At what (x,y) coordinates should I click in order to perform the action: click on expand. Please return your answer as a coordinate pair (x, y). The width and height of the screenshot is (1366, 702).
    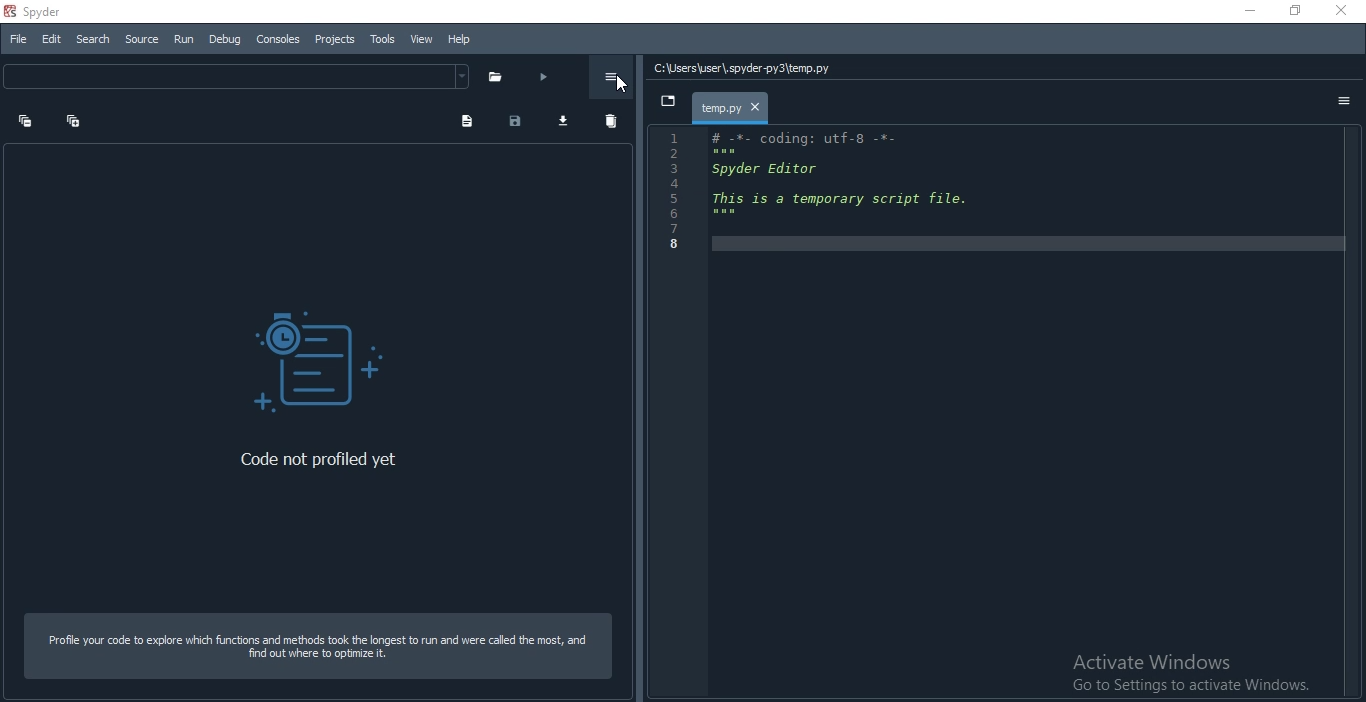
    Looking at the image, I should click on (22, 121).